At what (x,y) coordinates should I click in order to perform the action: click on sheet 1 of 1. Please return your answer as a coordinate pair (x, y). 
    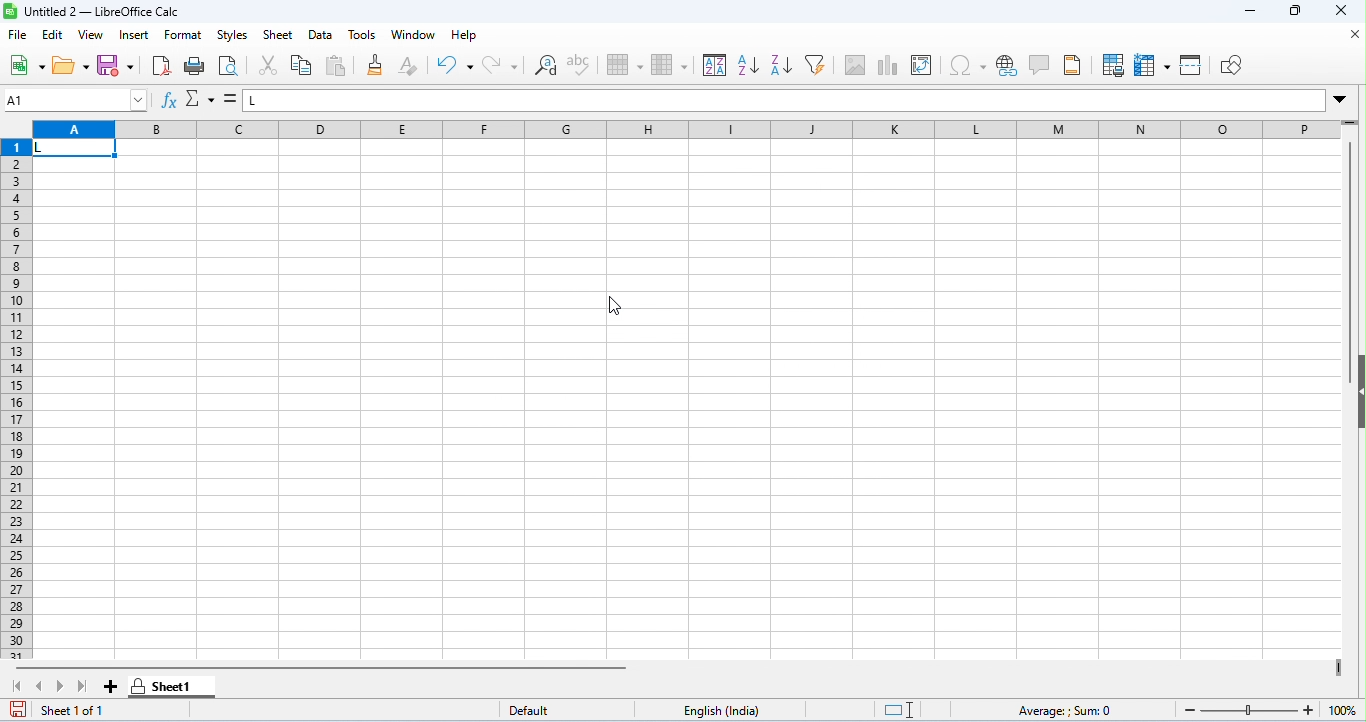
    Looking at the image, I should click on (78, 711).